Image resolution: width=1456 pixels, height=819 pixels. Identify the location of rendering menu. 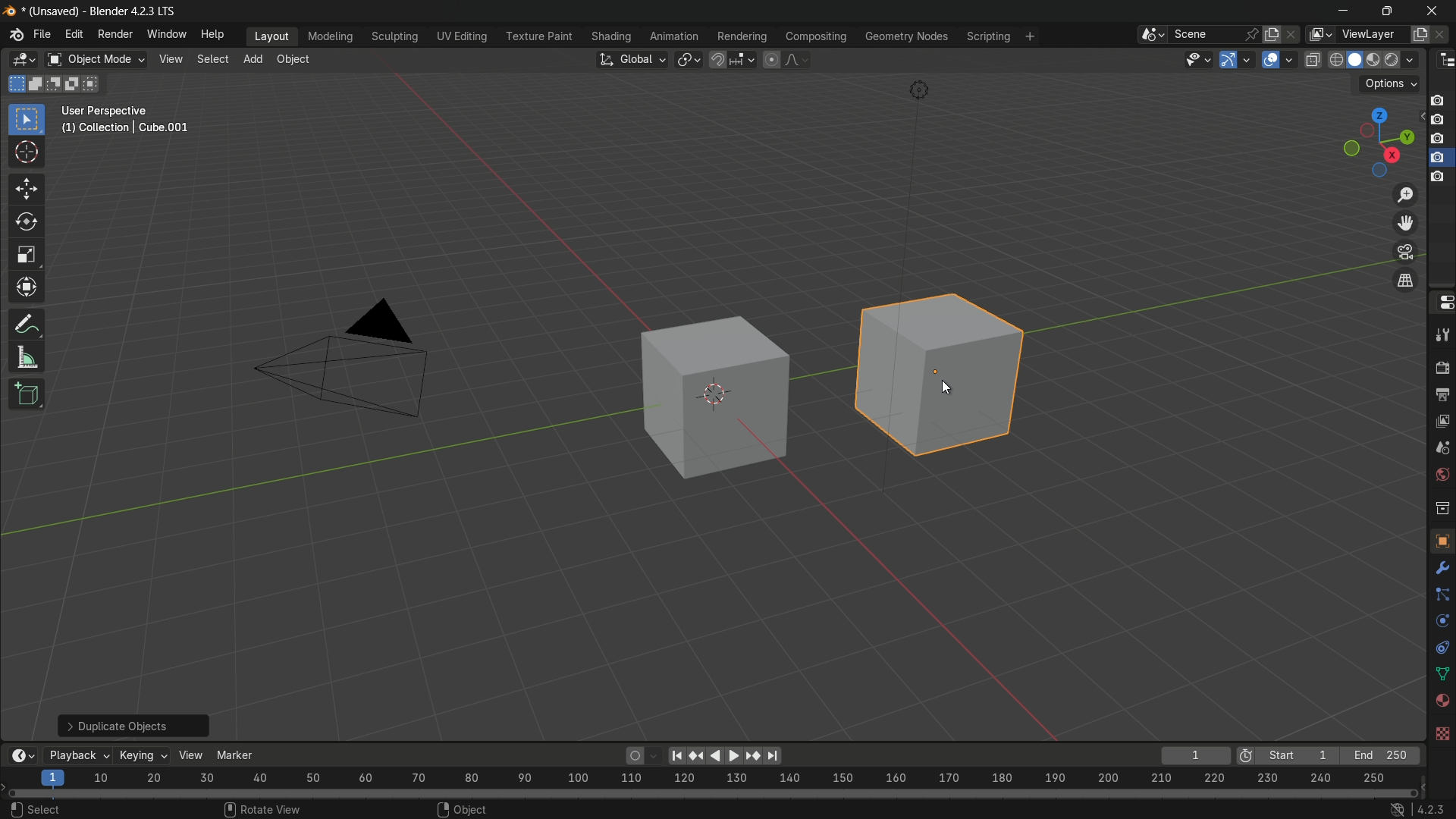
(740, 36).